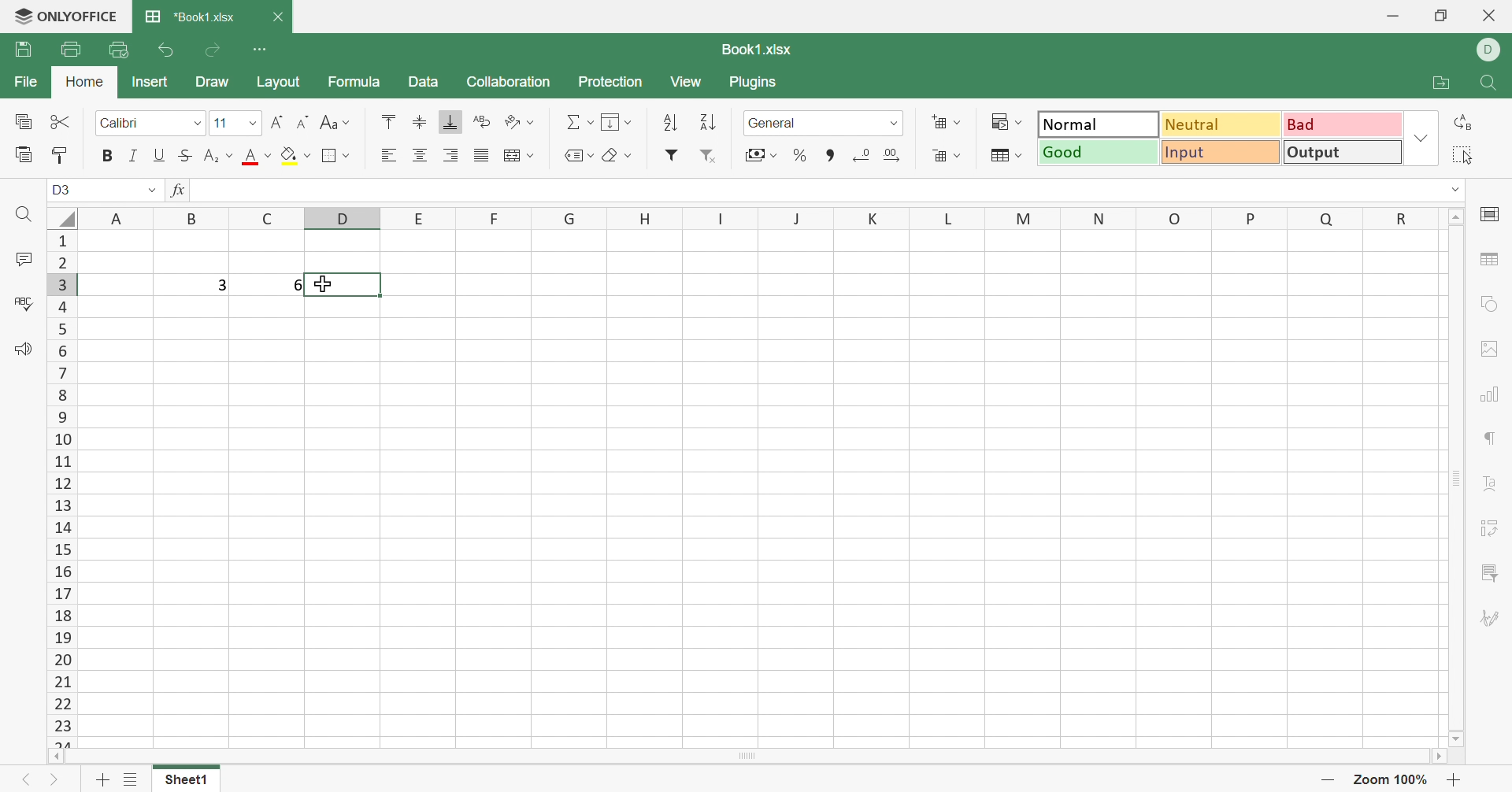  What do you see at coordinates (520, 121) in the screenshot?
I see `Orientation` at bounding box center [520, 121].